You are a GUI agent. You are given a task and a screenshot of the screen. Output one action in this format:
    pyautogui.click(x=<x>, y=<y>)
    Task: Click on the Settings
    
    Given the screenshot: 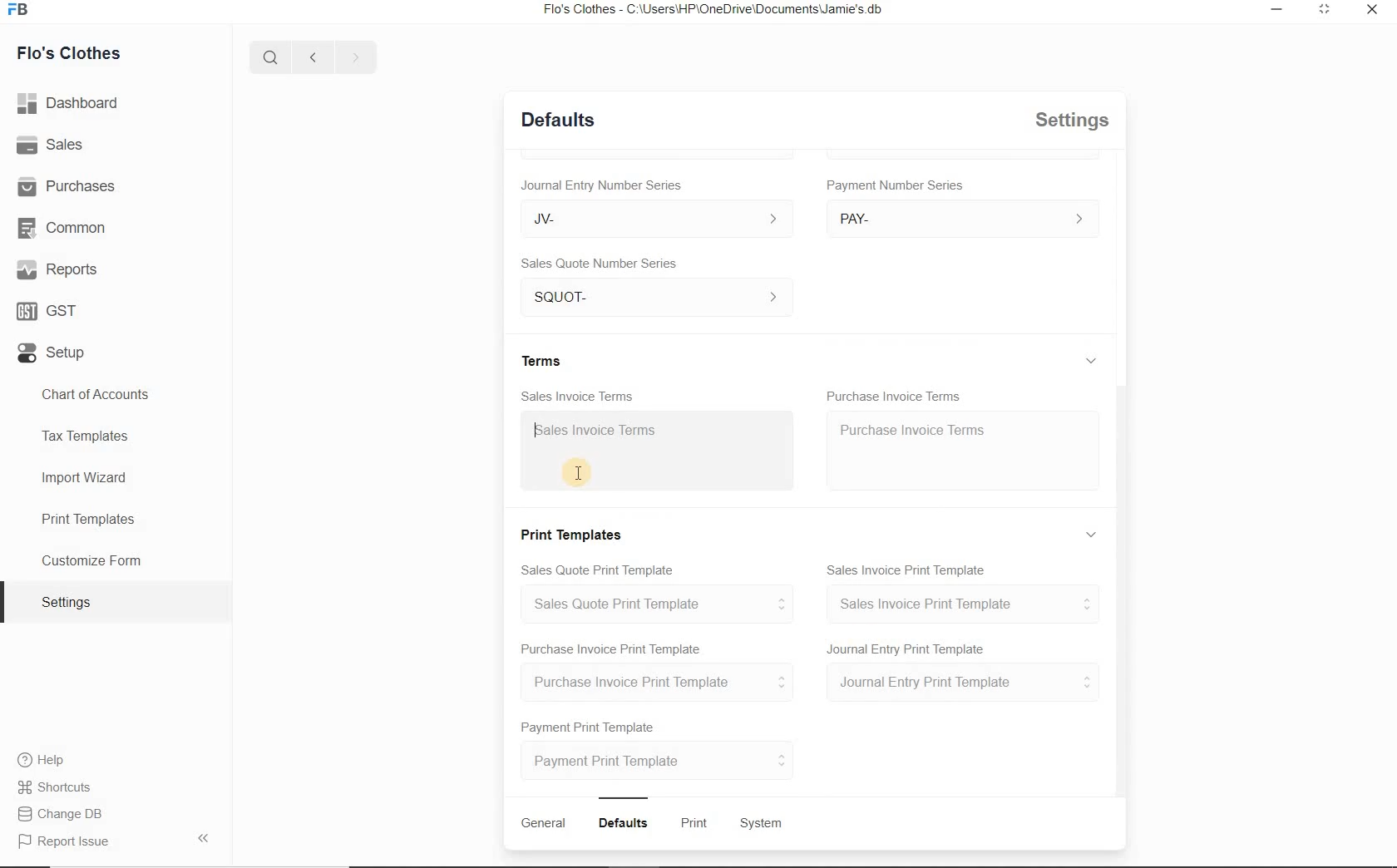 What is the action you would take?
    pyautogui.click(x=116, y=601)
    